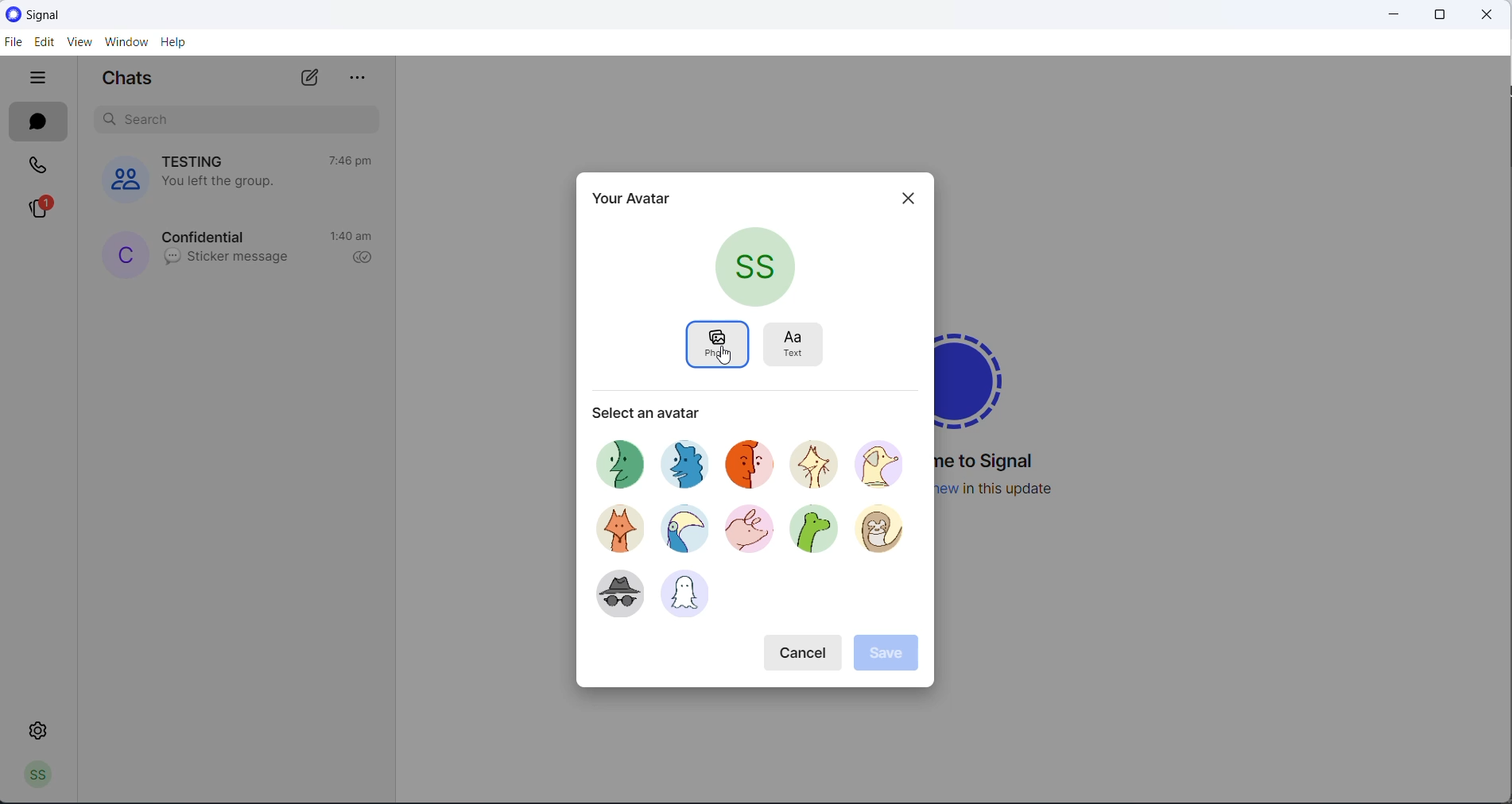 Image resolution: width=1512 pixels, height=804 pixels. What do you see at coordinates (630, 196) in the screenshot?
I see `your avatar heading` at bounding box center [630, 196].